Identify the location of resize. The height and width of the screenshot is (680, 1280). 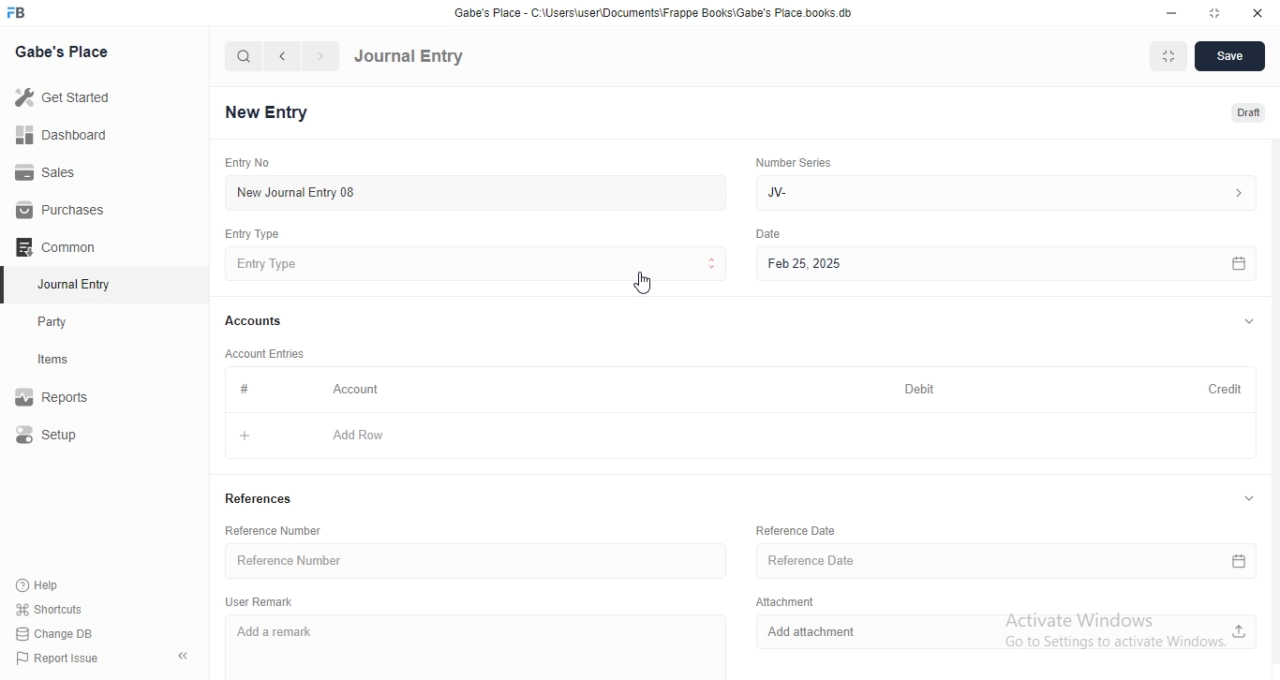
(1211, 12).